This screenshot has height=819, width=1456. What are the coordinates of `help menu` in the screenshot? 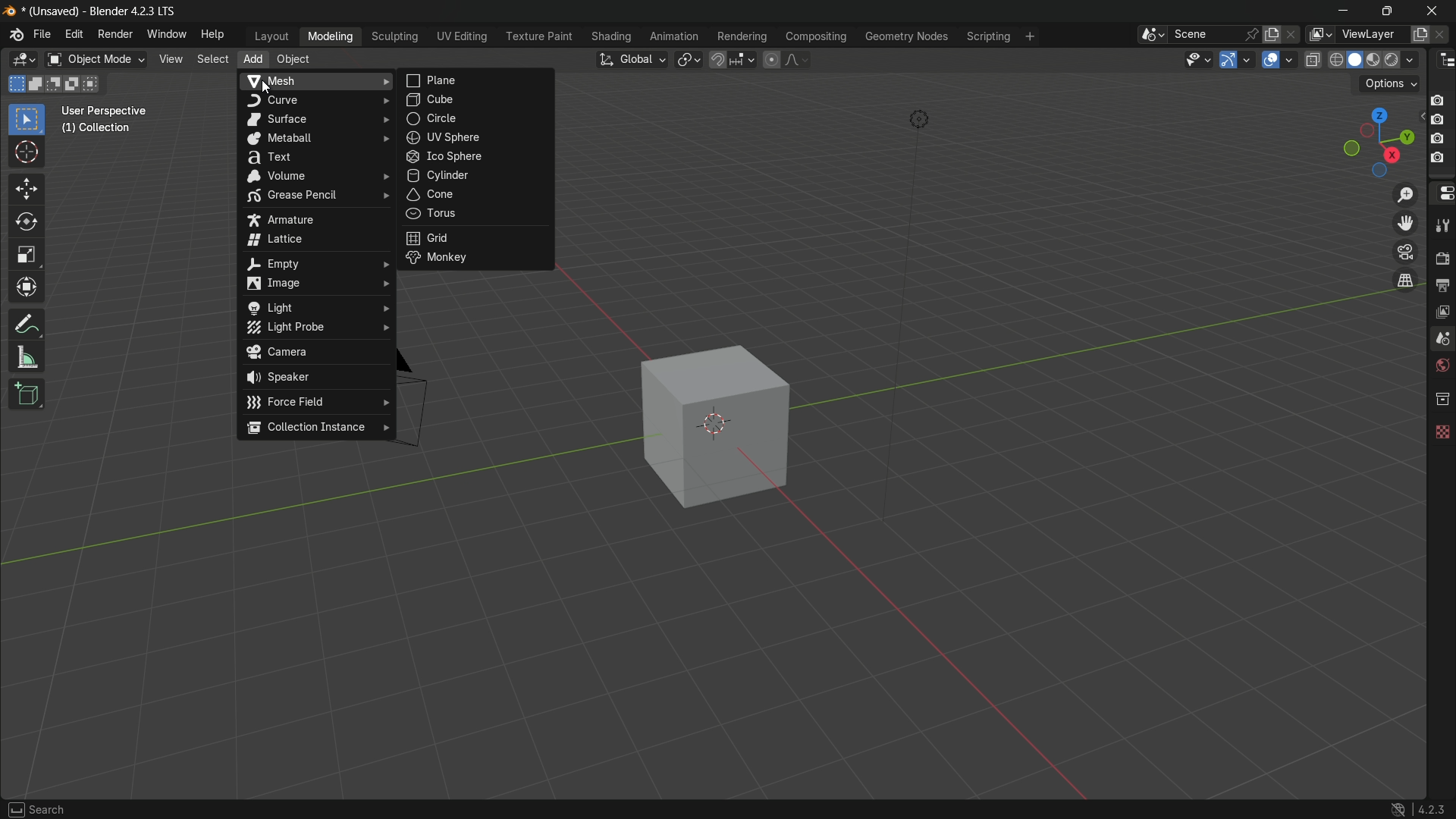 It's located at (212, 33).